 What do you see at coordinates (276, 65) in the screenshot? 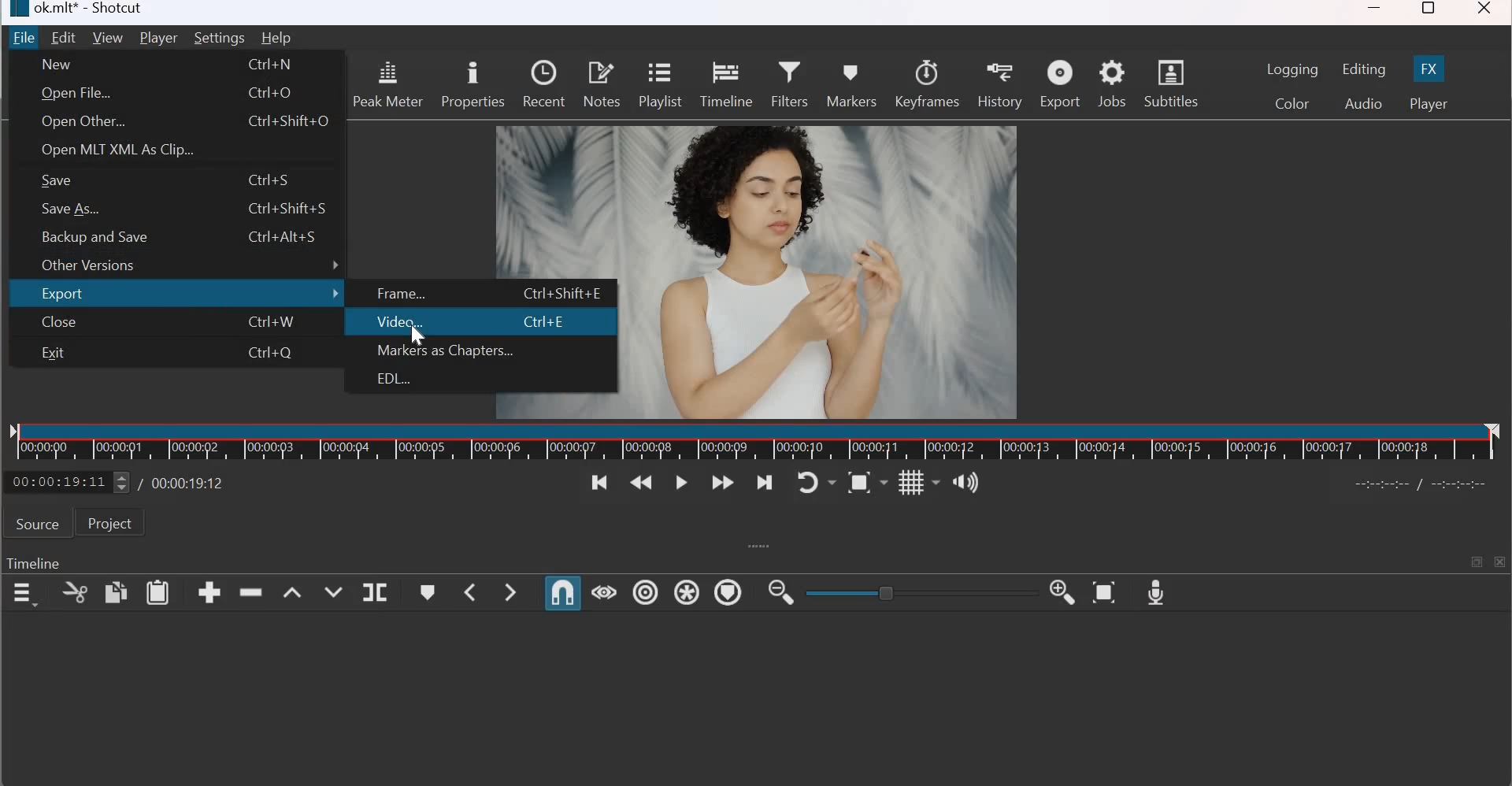
I see `Ctrl+N` at bounding box center [276, 65].